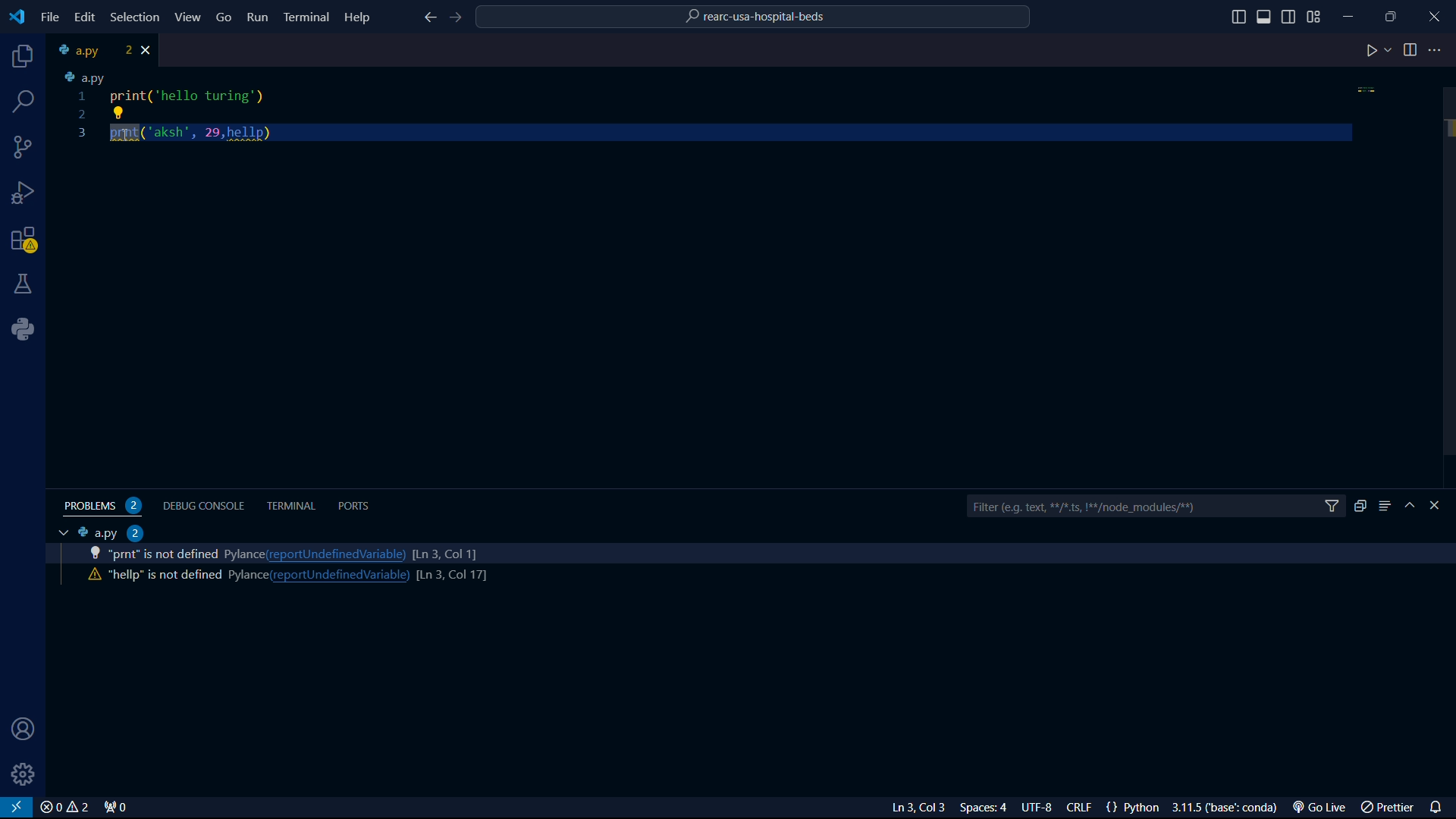  Describe the element at coordinates (1435, 14) in the screenshot. I see `close program` at that location.